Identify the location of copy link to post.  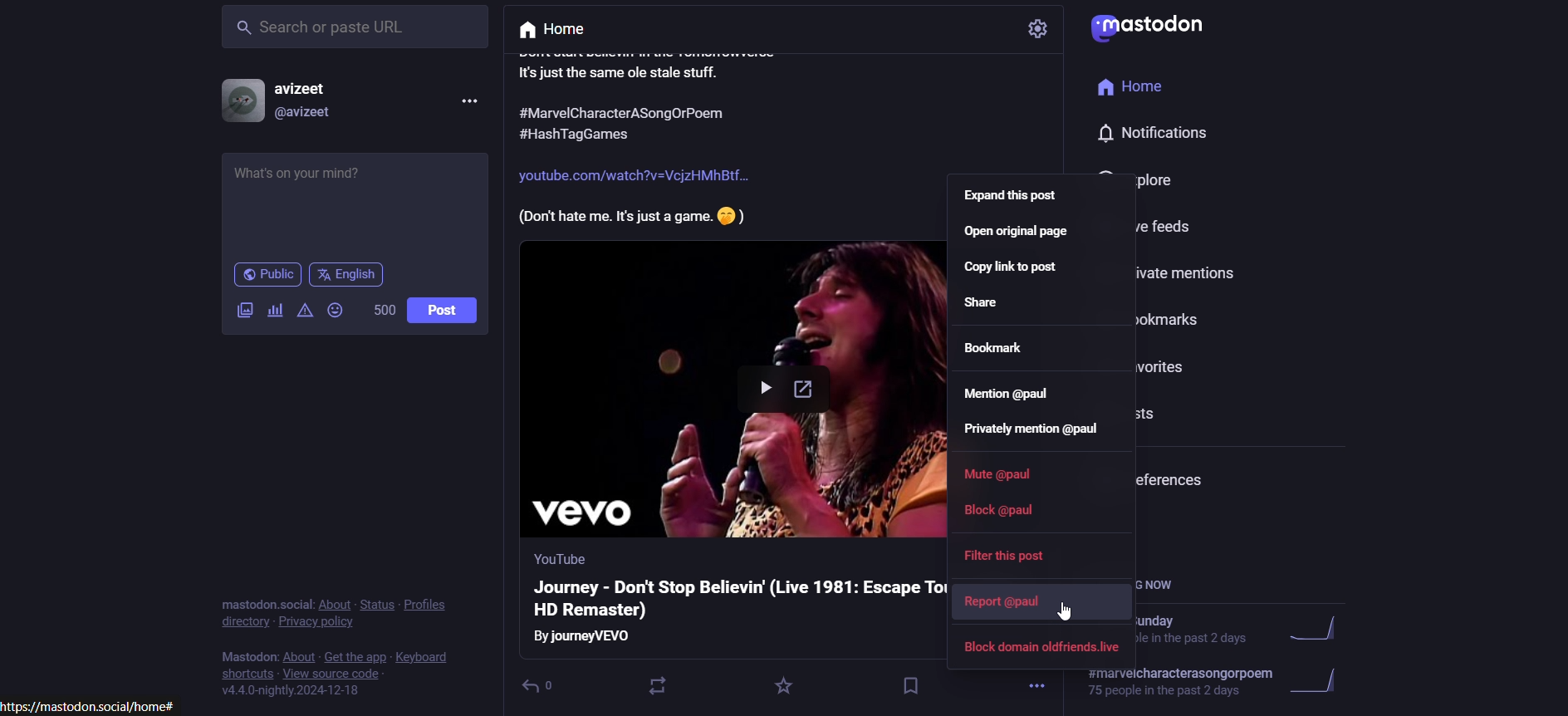
(1015, 272).